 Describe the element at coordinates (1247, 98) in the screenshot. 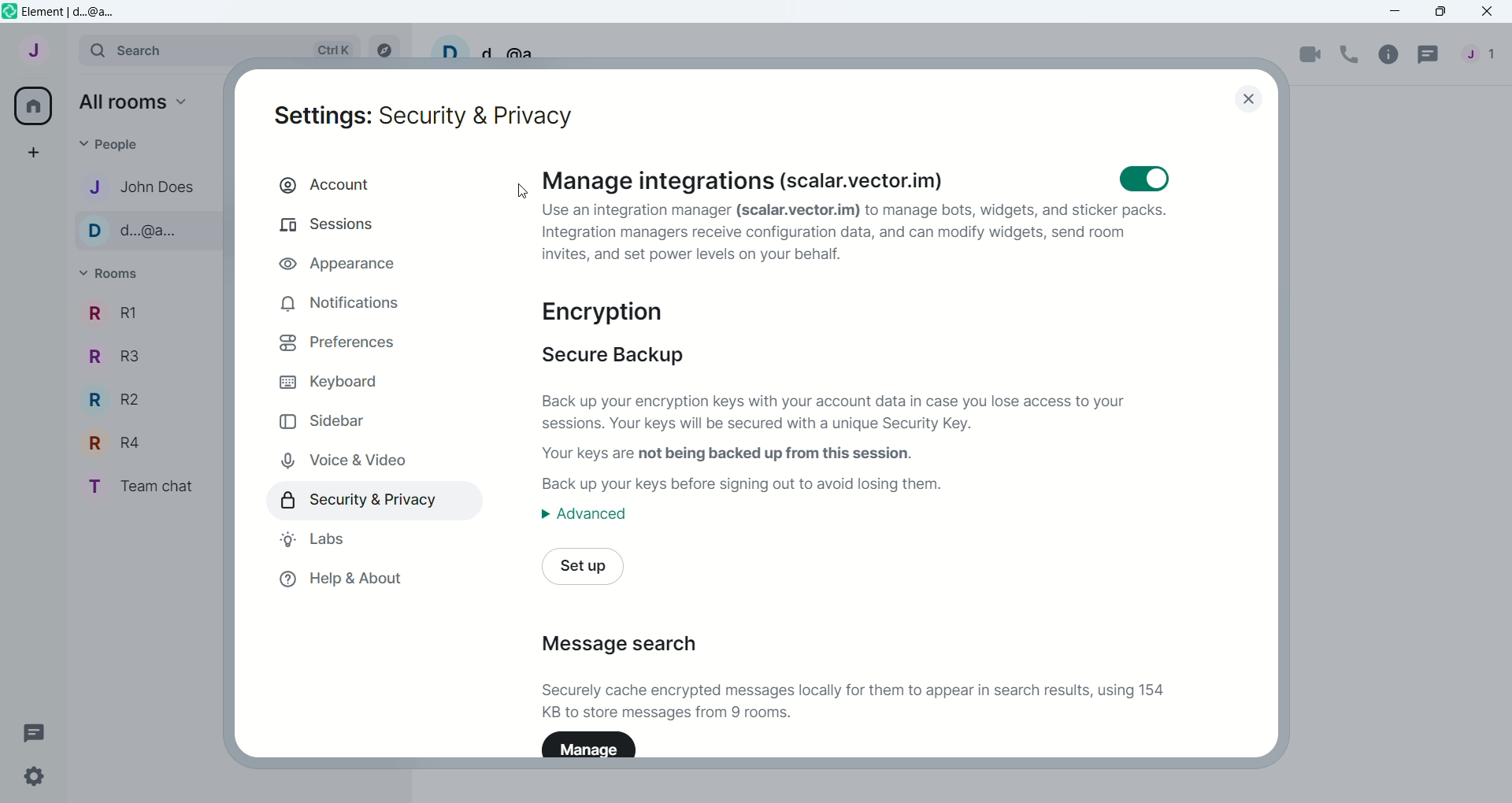

I see `close` at that location.